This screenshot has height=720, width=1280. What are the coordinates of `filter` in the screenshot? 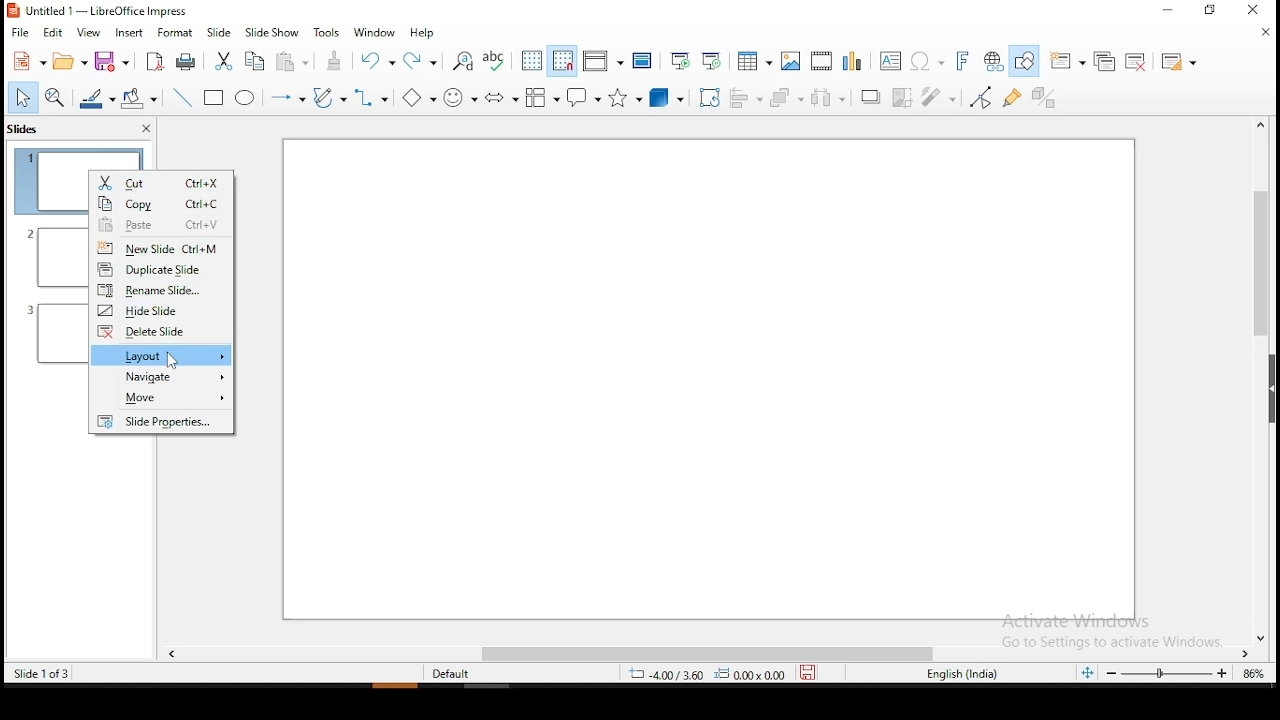 It's located at (940, 92).